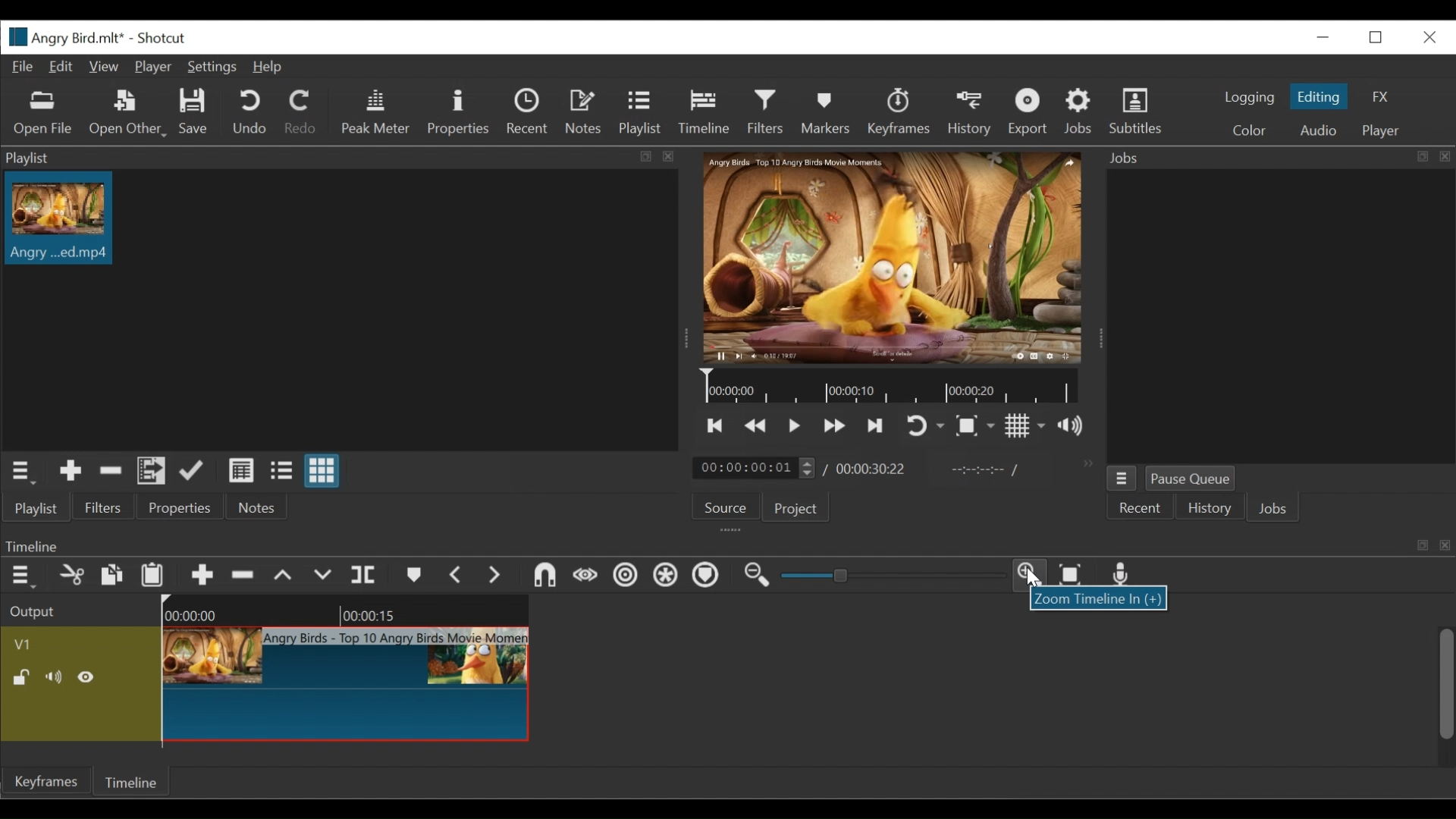 The height and width of the screenshot is (819, 1456). Describe the element at coordinates (341, 158) in the screenshot. I see `Playlist` at that location.